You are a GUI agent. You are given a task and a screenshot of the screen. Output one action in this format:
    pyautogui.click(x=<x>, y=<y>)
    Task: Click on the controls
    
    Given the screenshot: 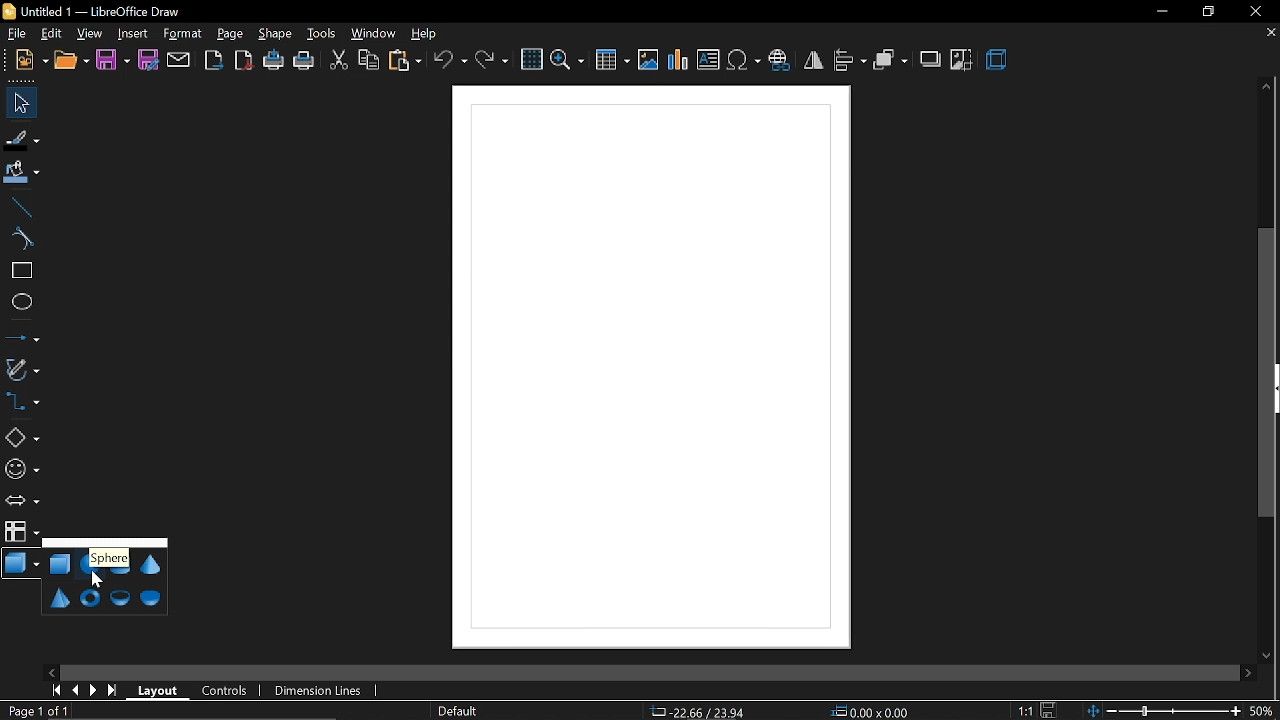 What is the action you would take?
    pyautogui.click(x=227, y=691)
    